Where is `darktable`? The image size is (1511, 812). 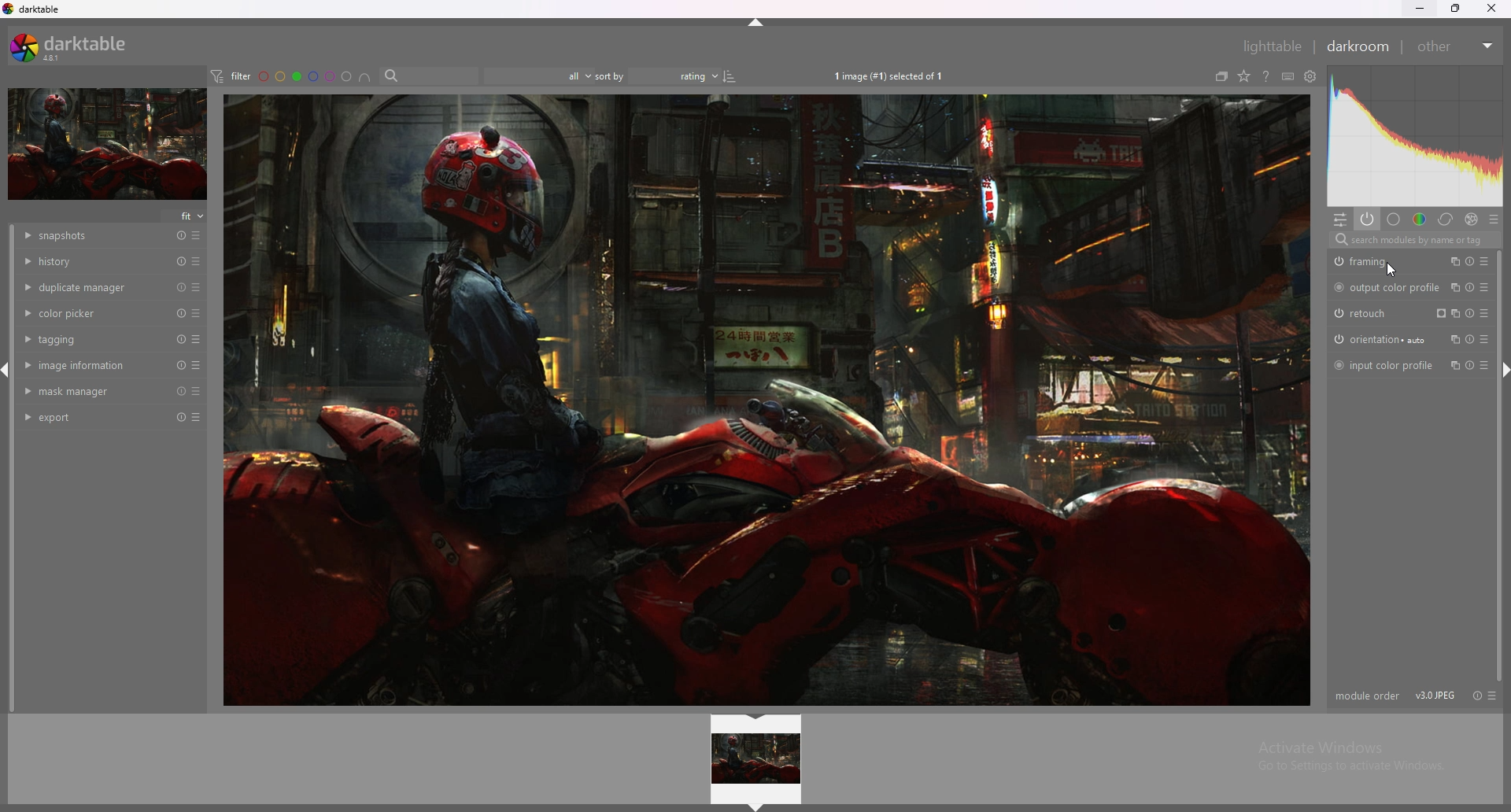 darktable is located at coordinates (75, 46).